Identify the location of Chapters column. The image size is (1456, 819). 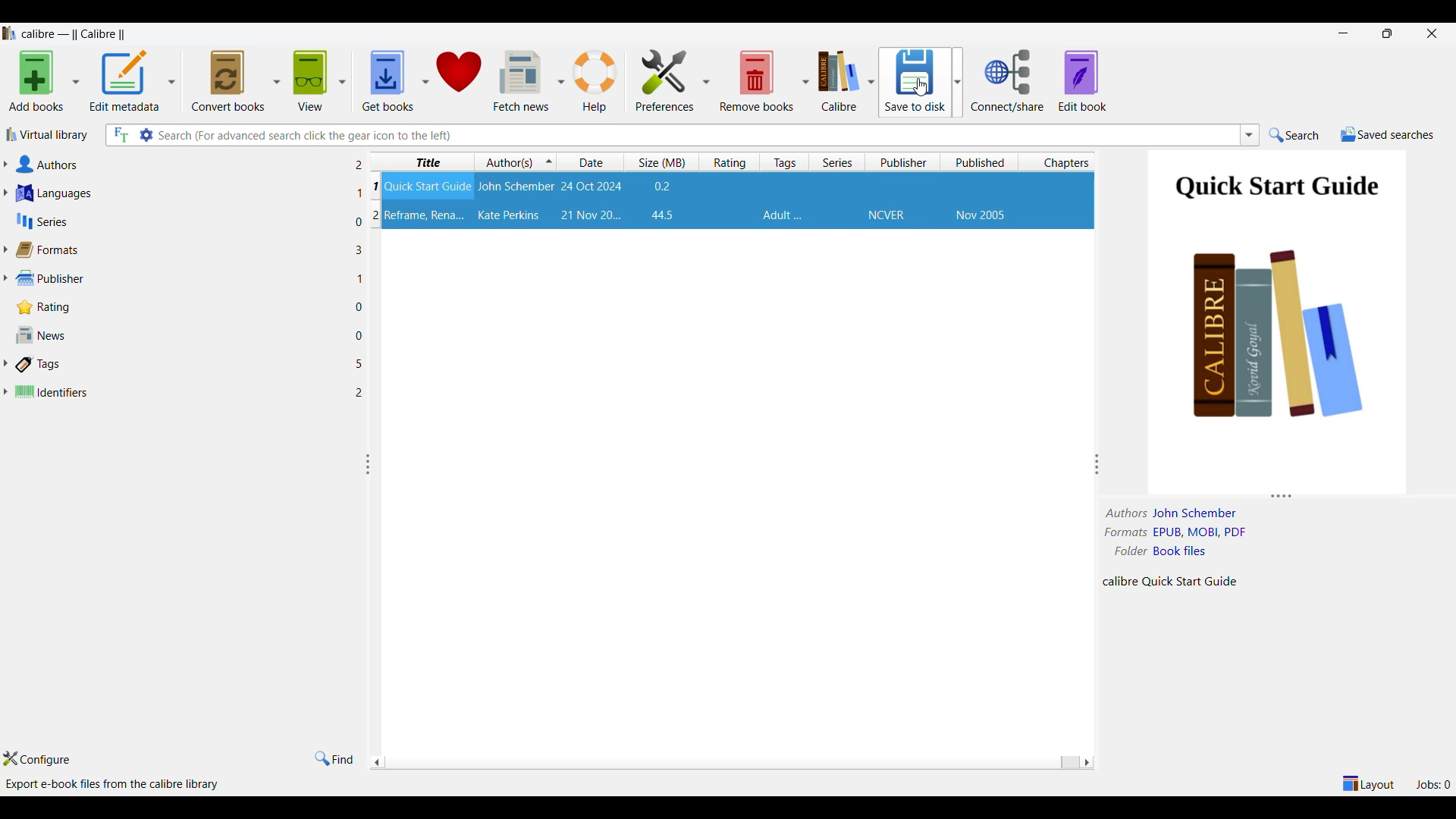
(1062, 162).